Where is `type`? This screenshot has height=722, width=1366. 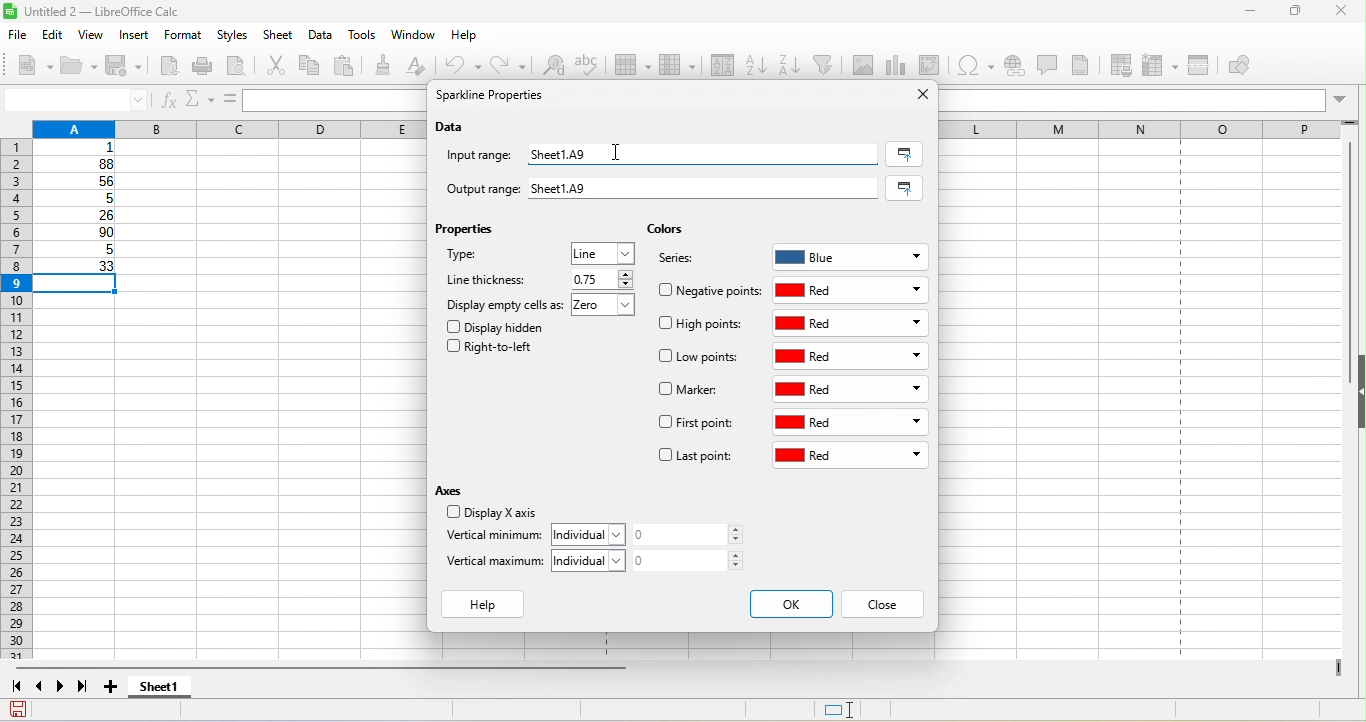 type is located at coordinates (486, 258).